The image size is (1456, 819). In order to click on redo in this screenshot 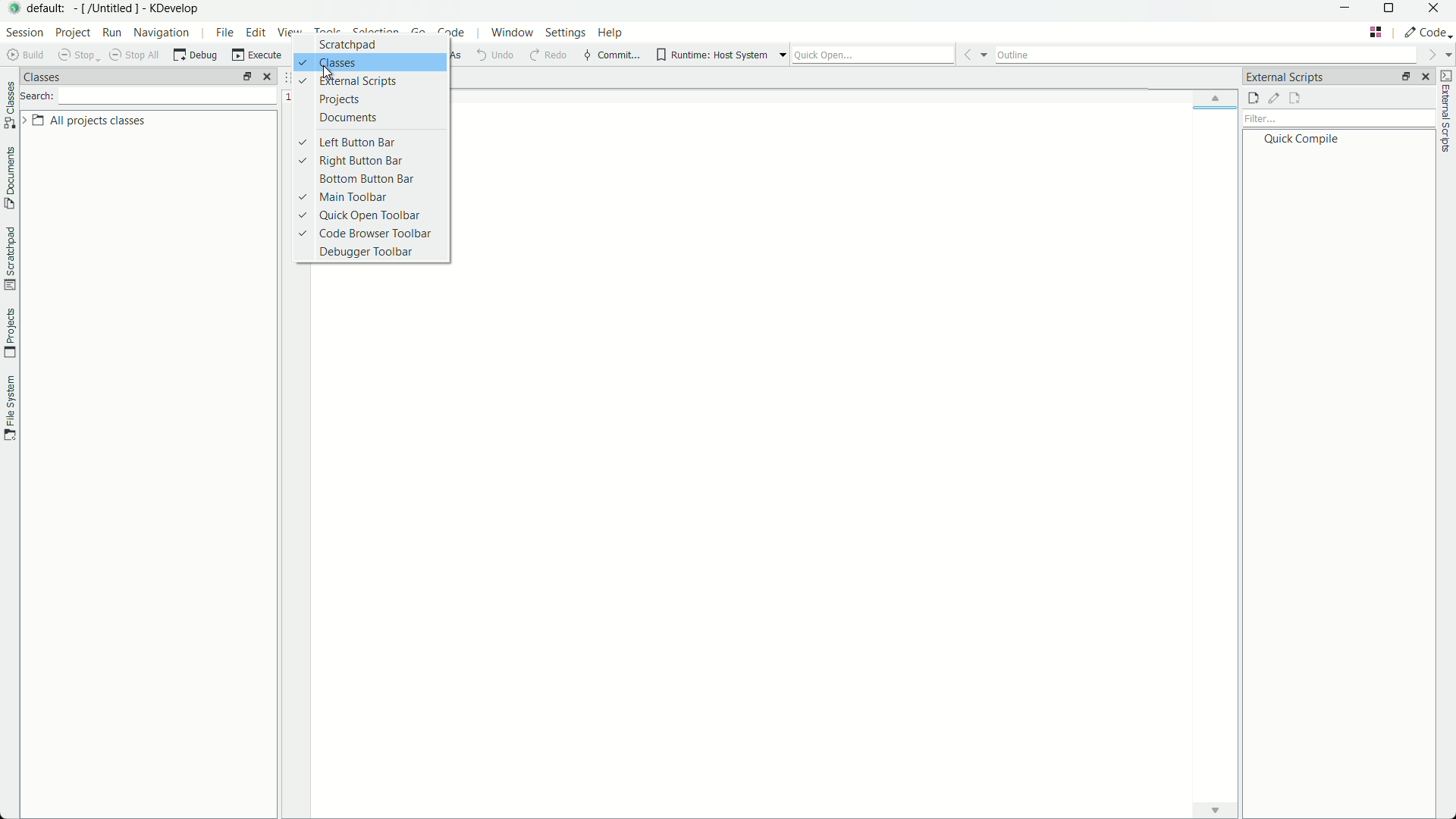, I will do `click(546, 55)`.